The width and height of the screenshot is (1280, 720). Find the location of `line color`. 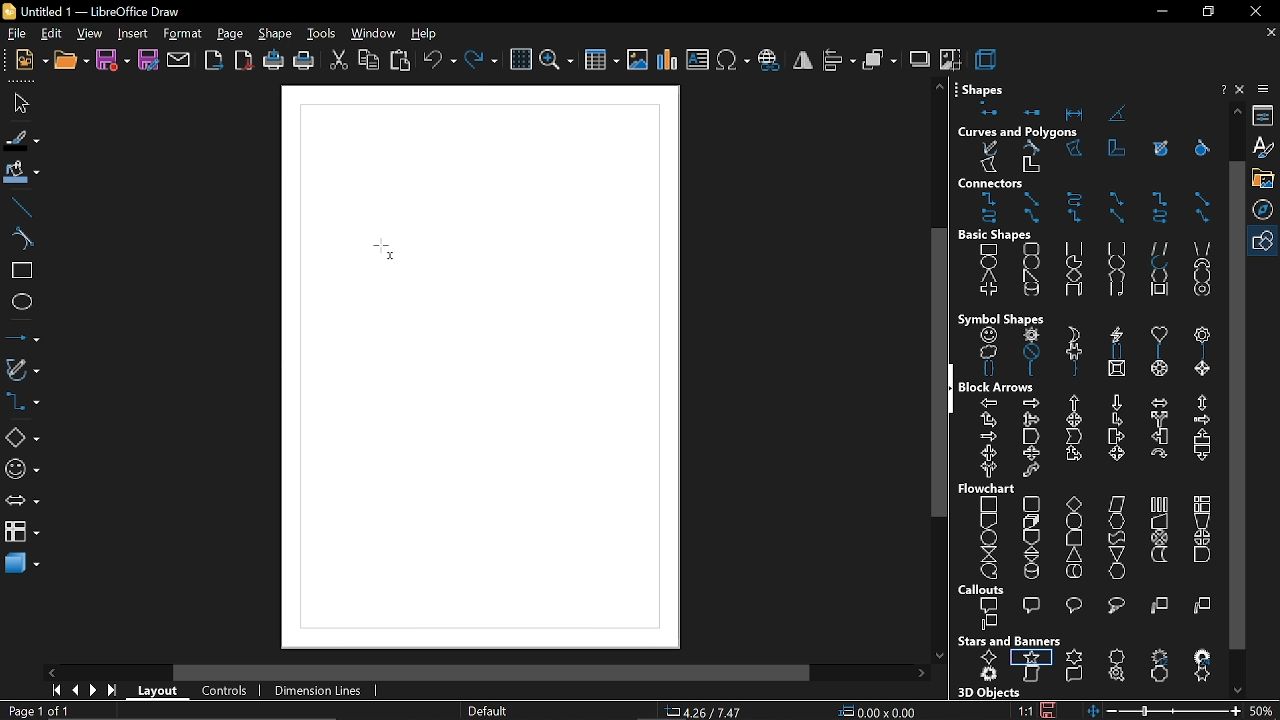

line color is located at coordinates (20, 138).